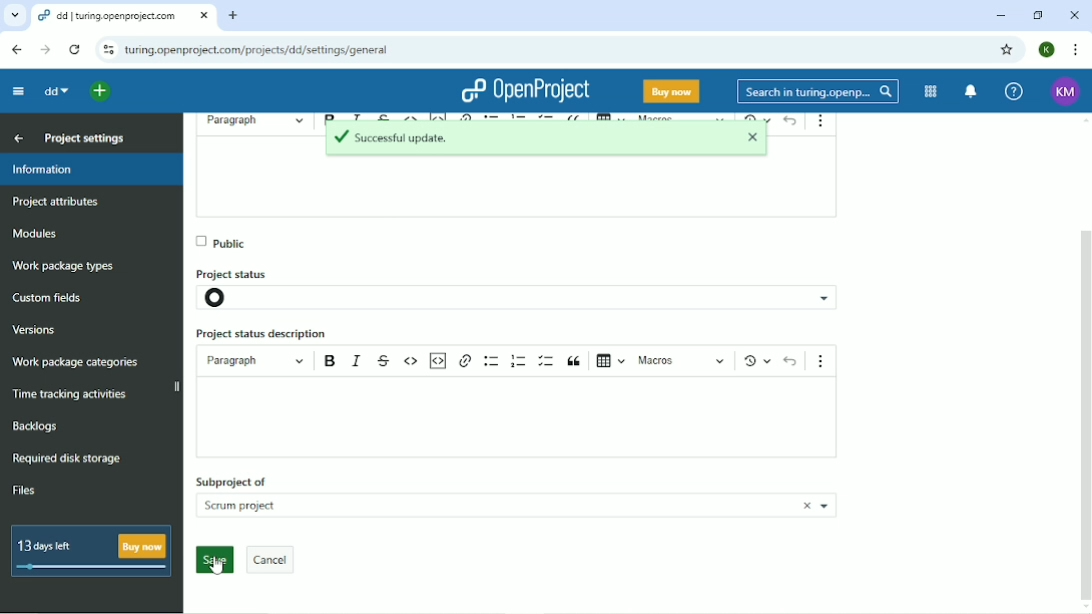 This screenshot has width=1092, height=614. What do you see at coordinates (243, 271) in the screenshot?
I see `Project status` at bounding box center [243, 271].